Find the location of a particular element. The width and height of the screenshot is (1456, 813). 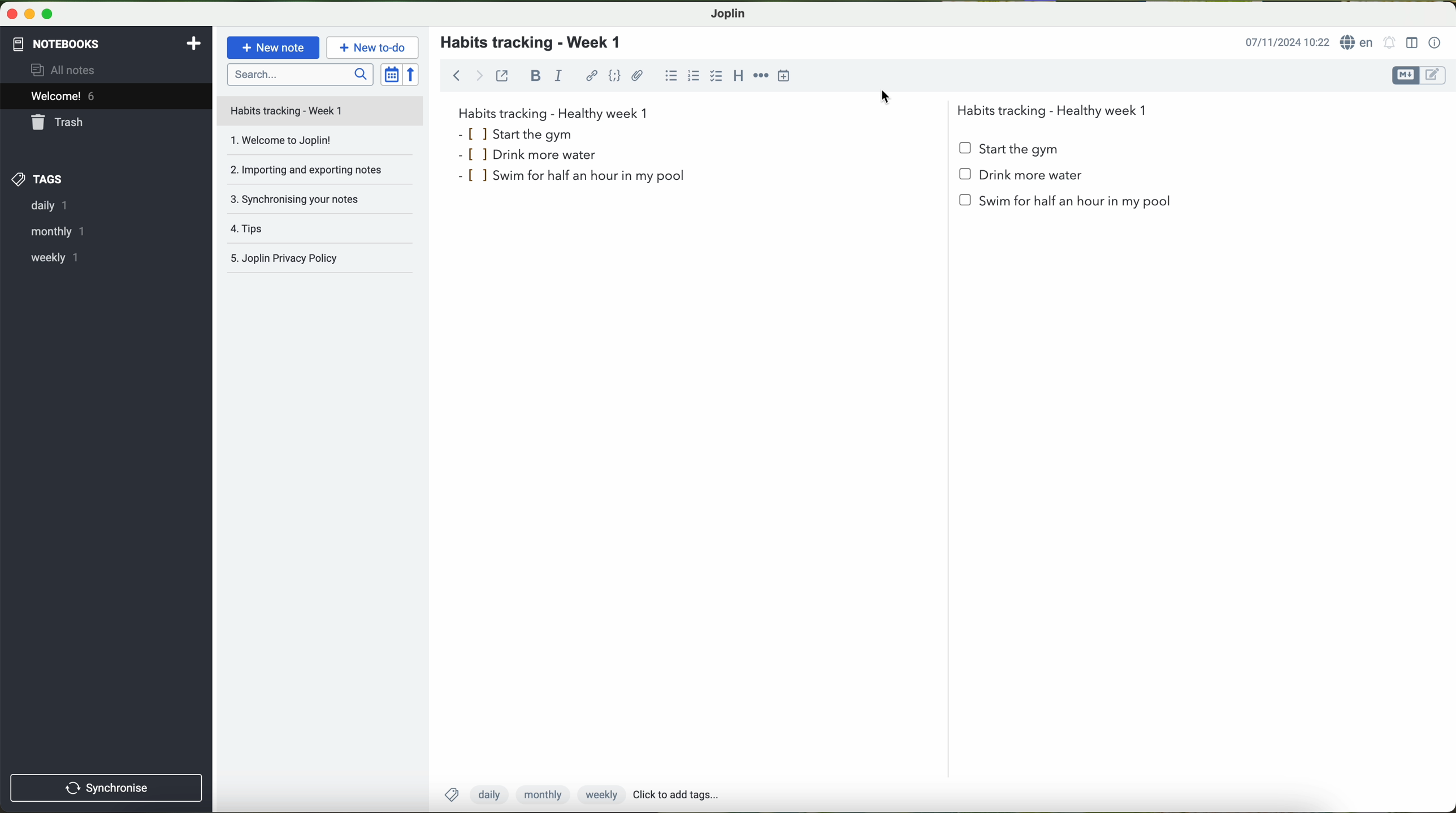

new note button is located at coordinates (274, 47).